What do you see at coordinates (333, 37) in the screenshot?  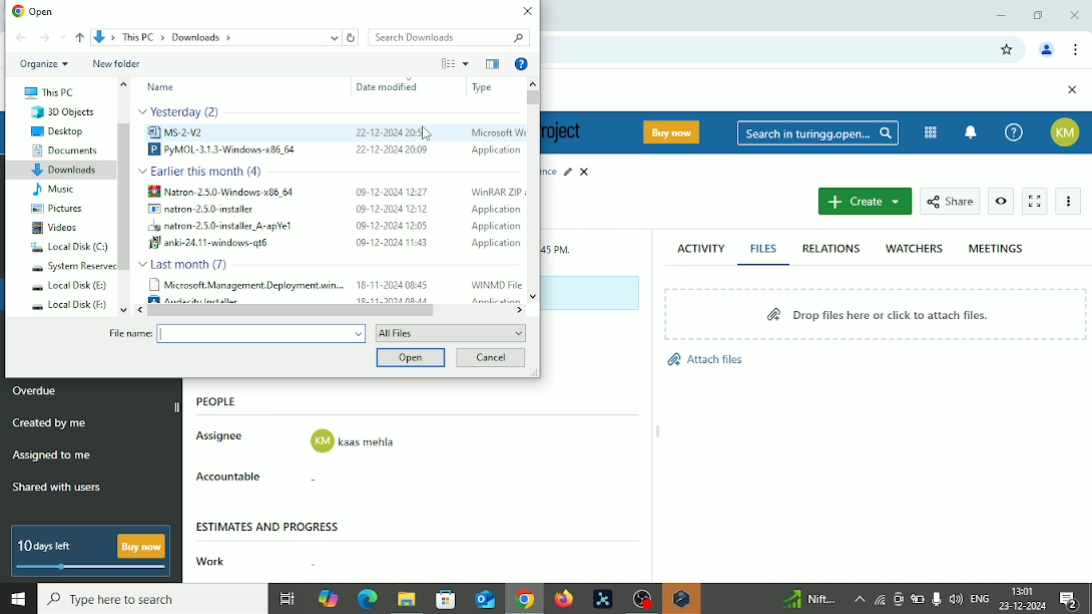 I see `show current locations` at bounding box center [333, 37].